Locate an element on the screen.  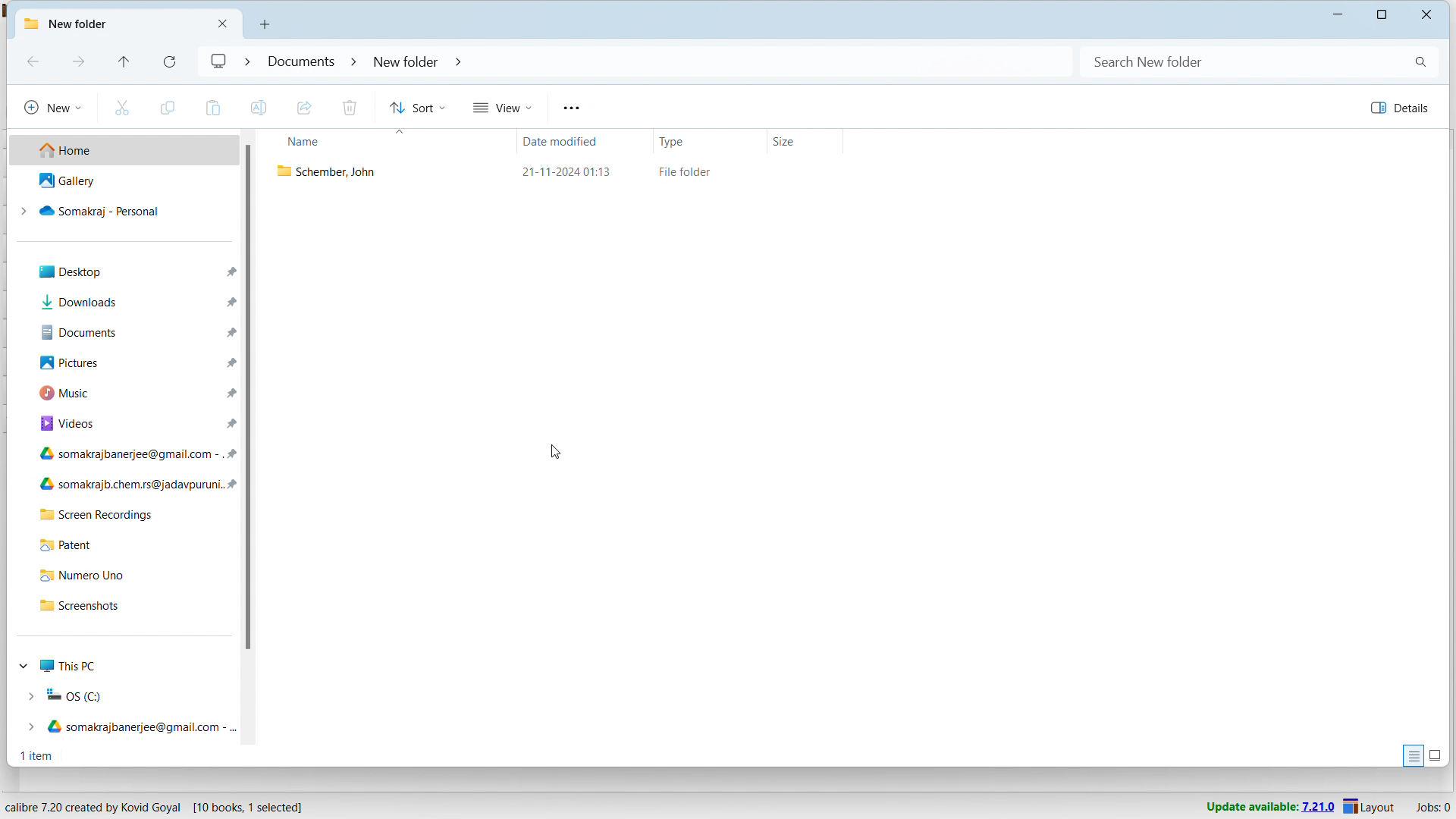
exported book is located at coordinates (535, 174).